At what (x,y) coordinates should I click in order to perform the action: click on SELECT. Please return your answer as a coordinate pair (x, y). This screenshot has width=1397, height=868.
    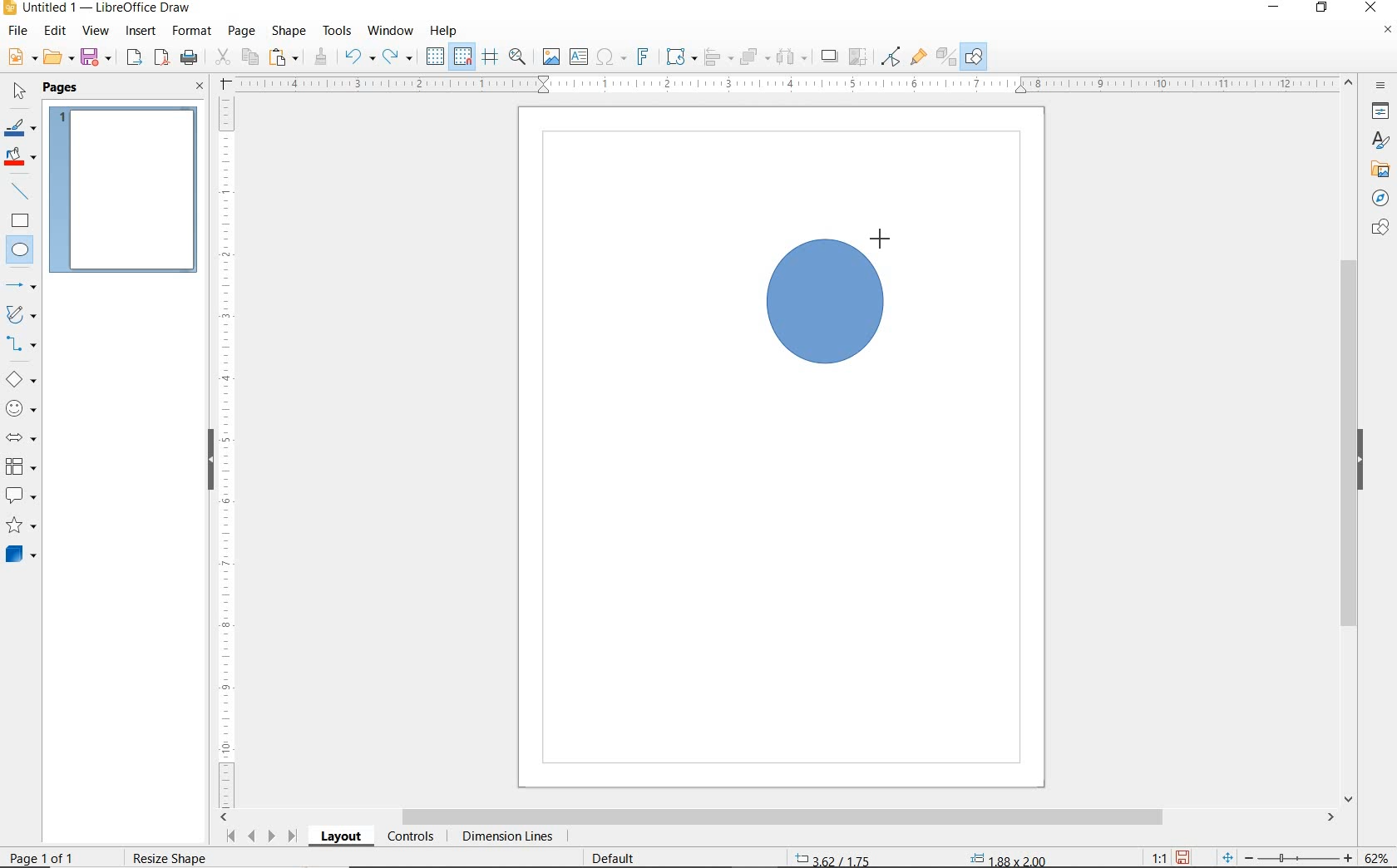
    Looking at the image, I should click on (20, 92).